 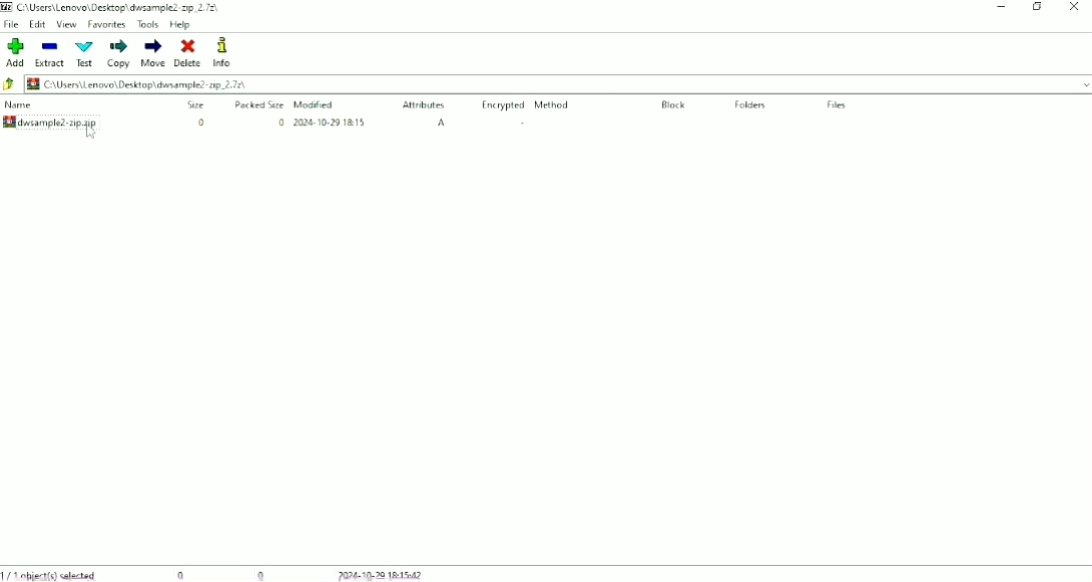 What do you see at coordinates (674, 105) in the screenshot?
I see `Block` at bounding box center [674, 105].